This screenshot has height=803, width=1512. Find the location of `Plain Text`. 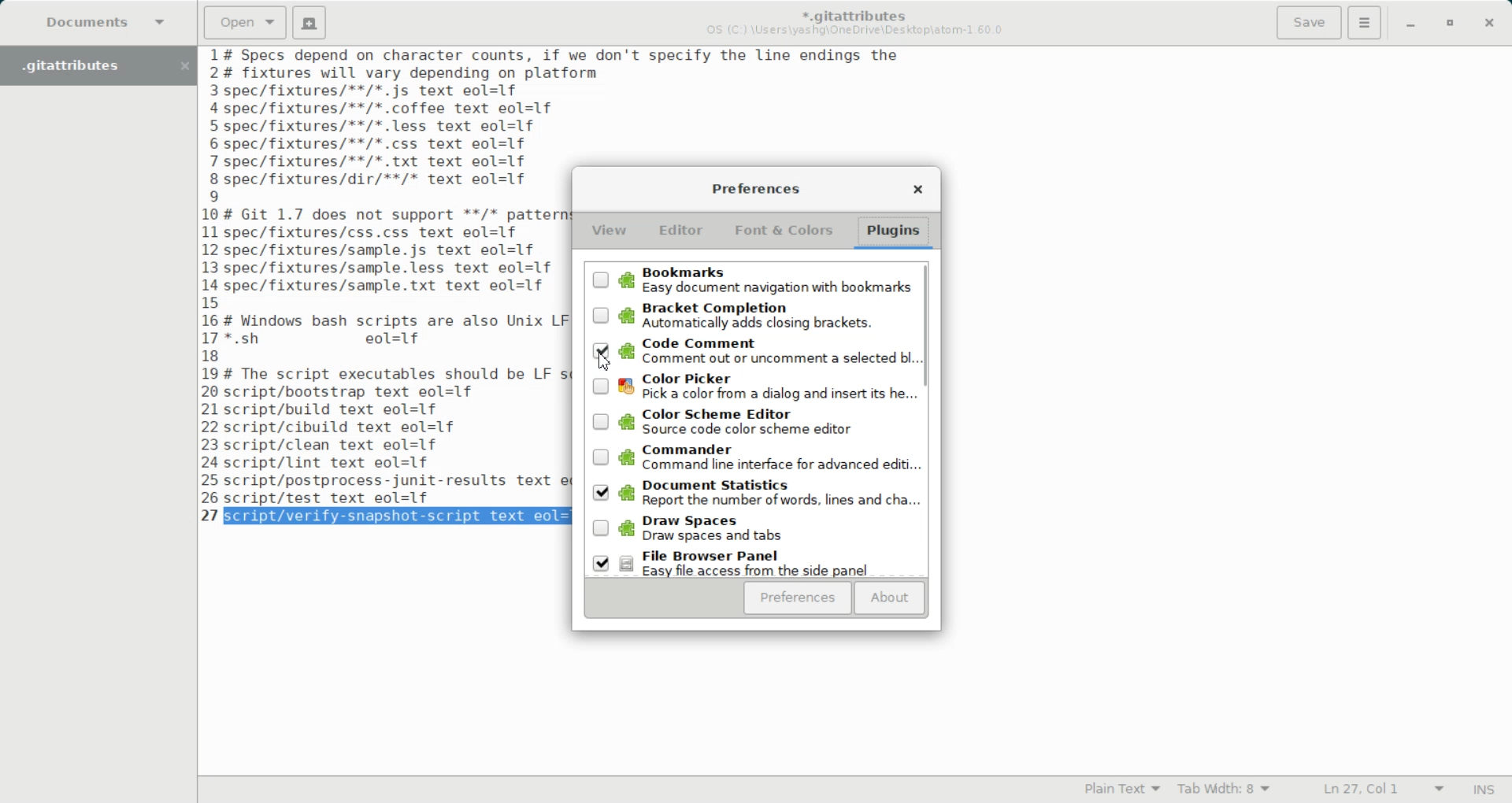

Plain Text is located at coordinates (1118, 790).